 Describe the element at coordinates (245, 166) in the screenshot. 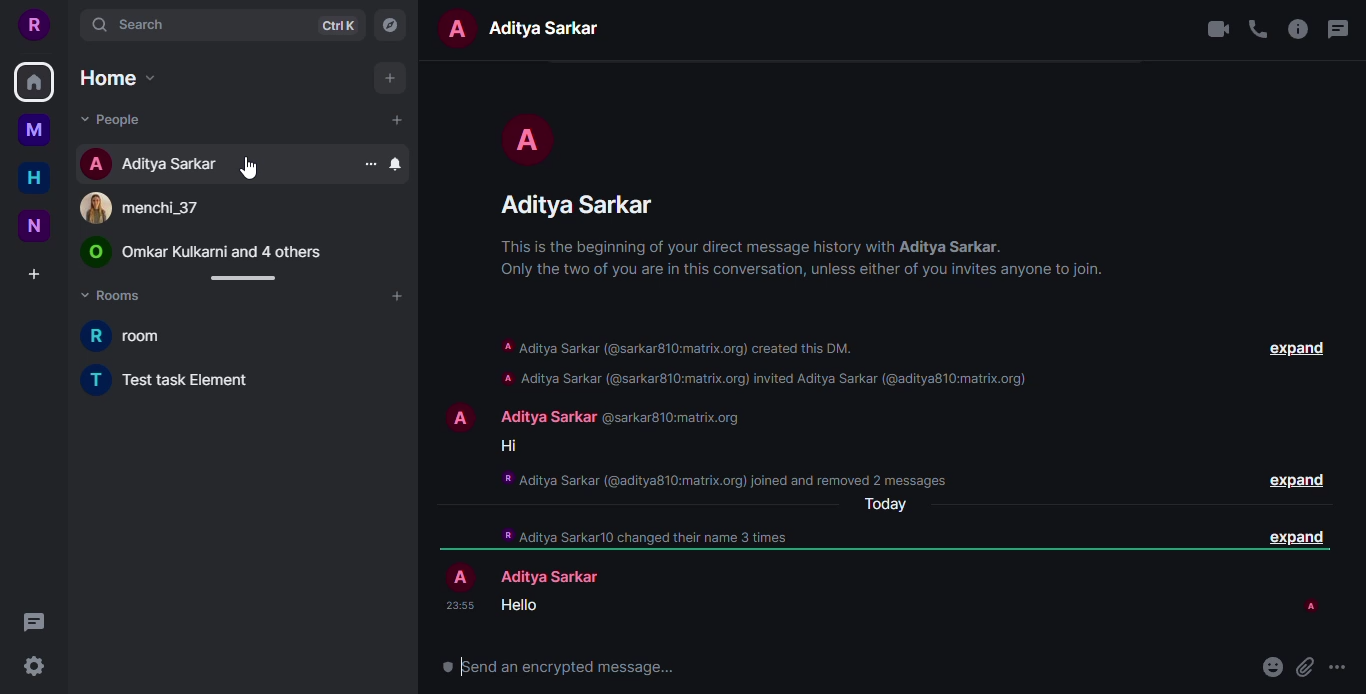

I see `cursor` at that location.